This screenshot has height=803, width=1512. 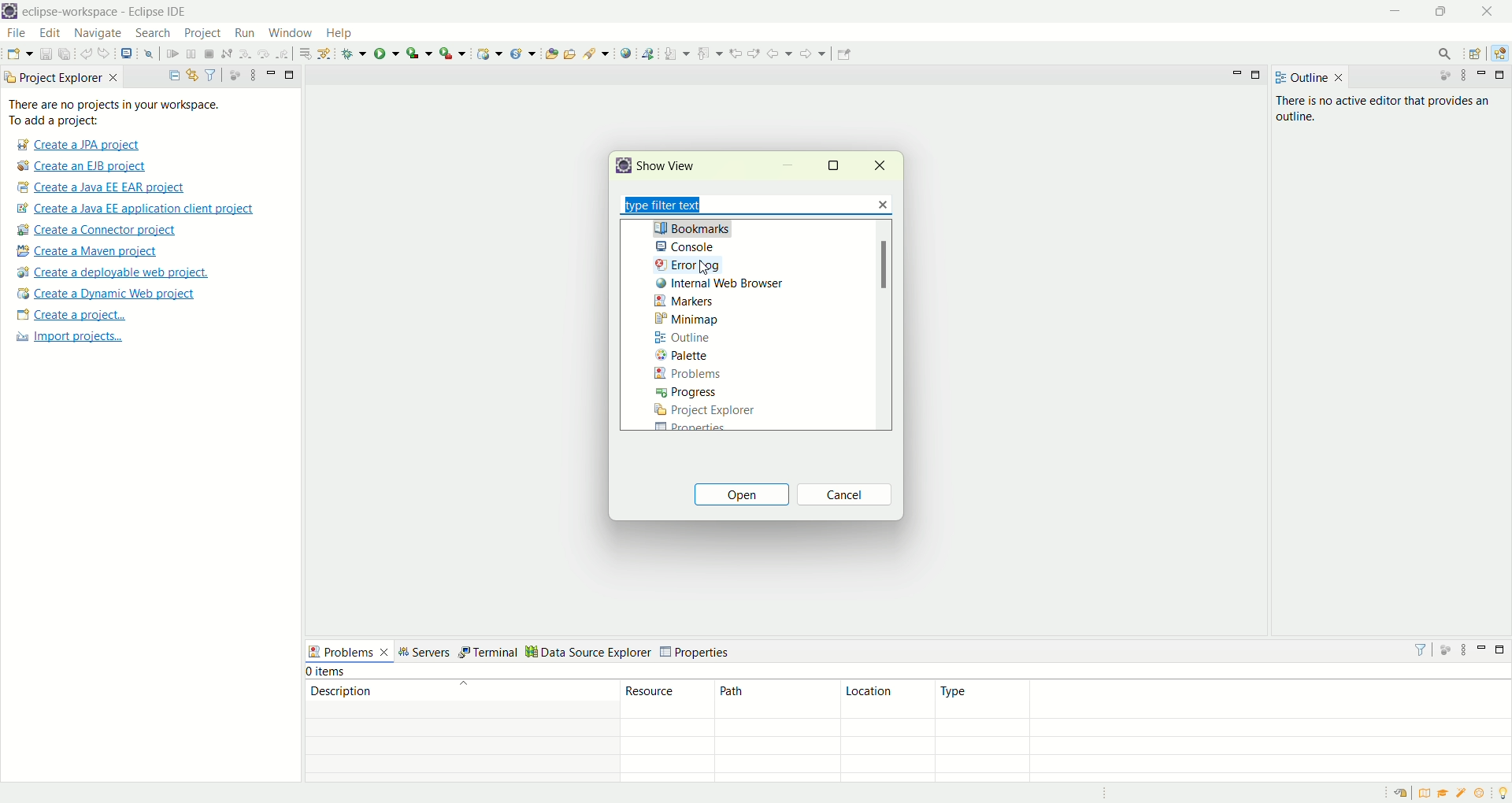 I want to click on properties, so click(x=696, y=650).